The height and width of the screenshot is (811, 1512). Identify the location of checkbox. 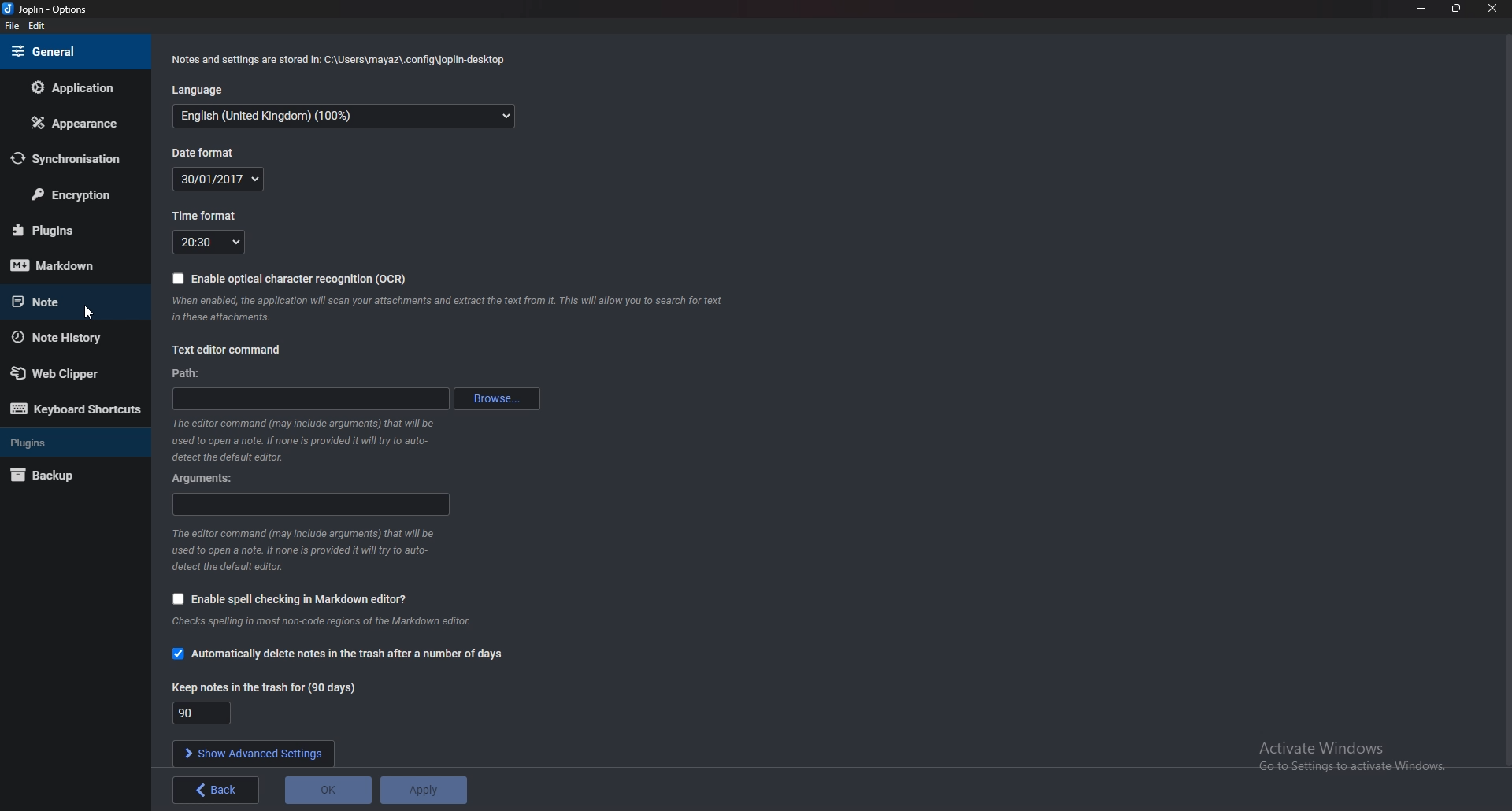
(175, 656).